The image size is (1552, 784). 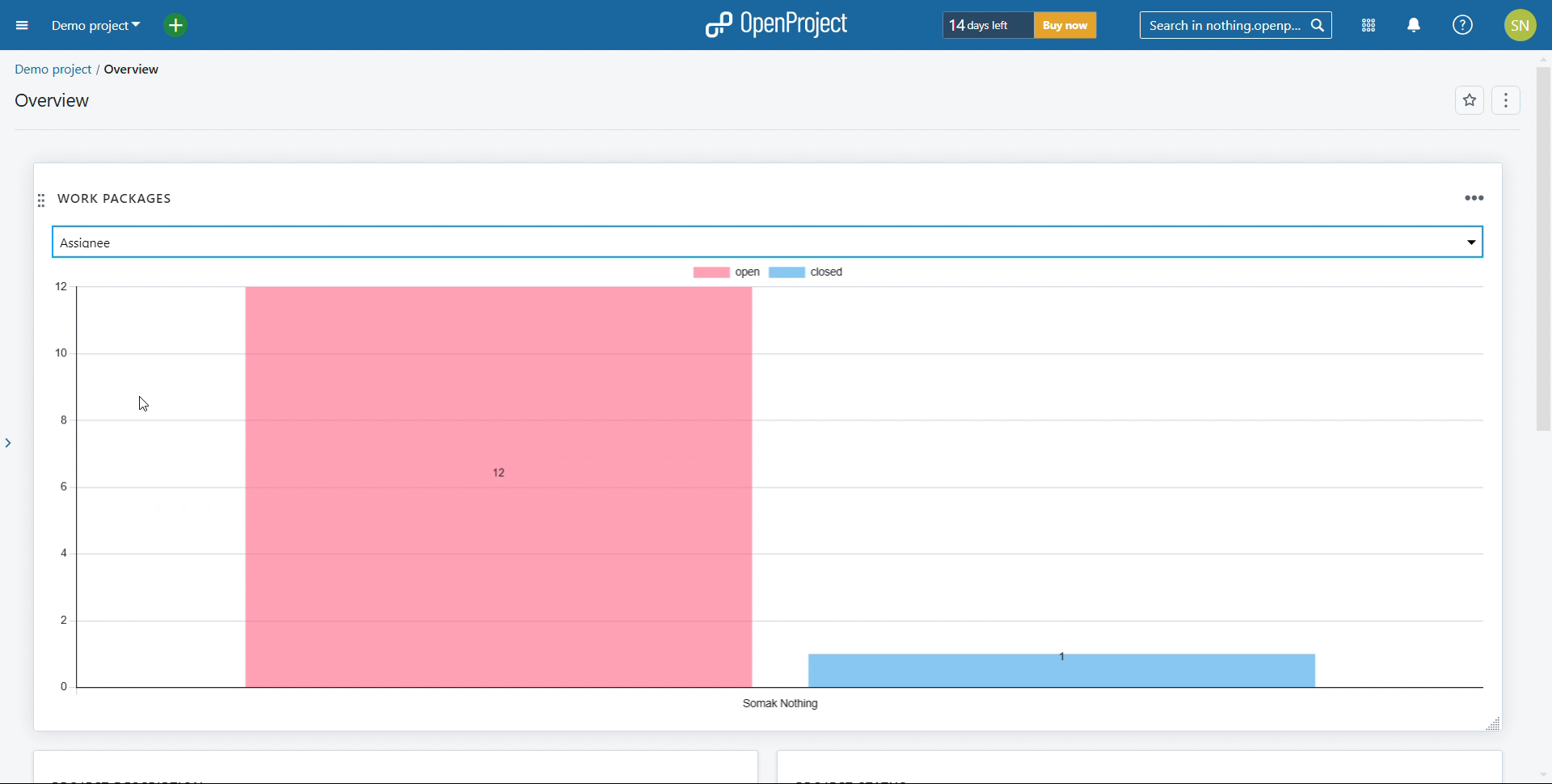 What do you see at coordinates (766, 242) in the screenshot?
I see `filter set to assignee` at bounding box center [766, 242].